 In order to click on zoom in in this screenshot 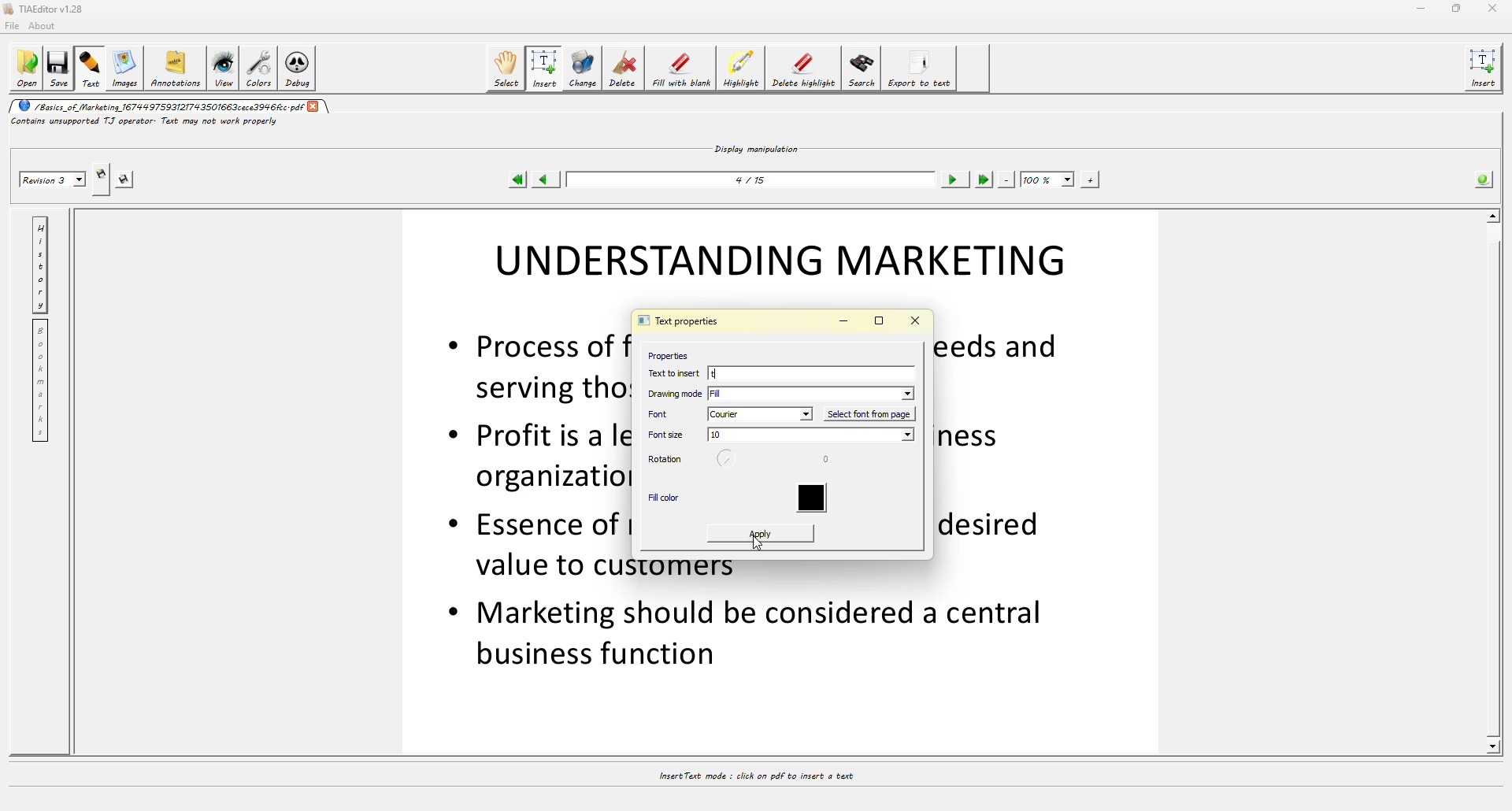, I will do `click(1089, 179)`.